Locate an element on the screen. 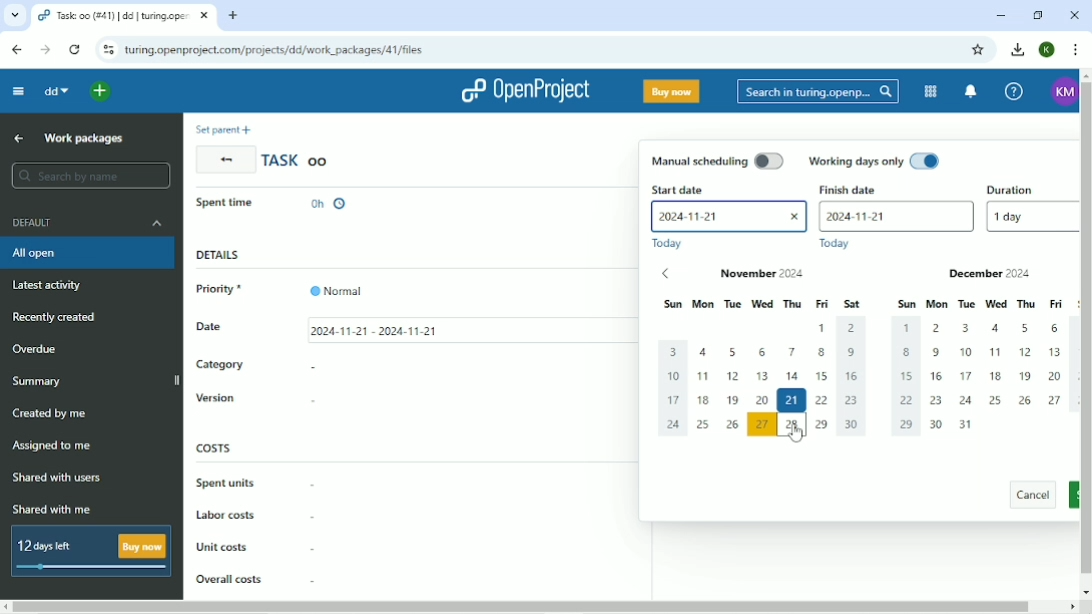 The height and width of the screenshot is (614, 1092). 0h is located at coordinates (331, 205).